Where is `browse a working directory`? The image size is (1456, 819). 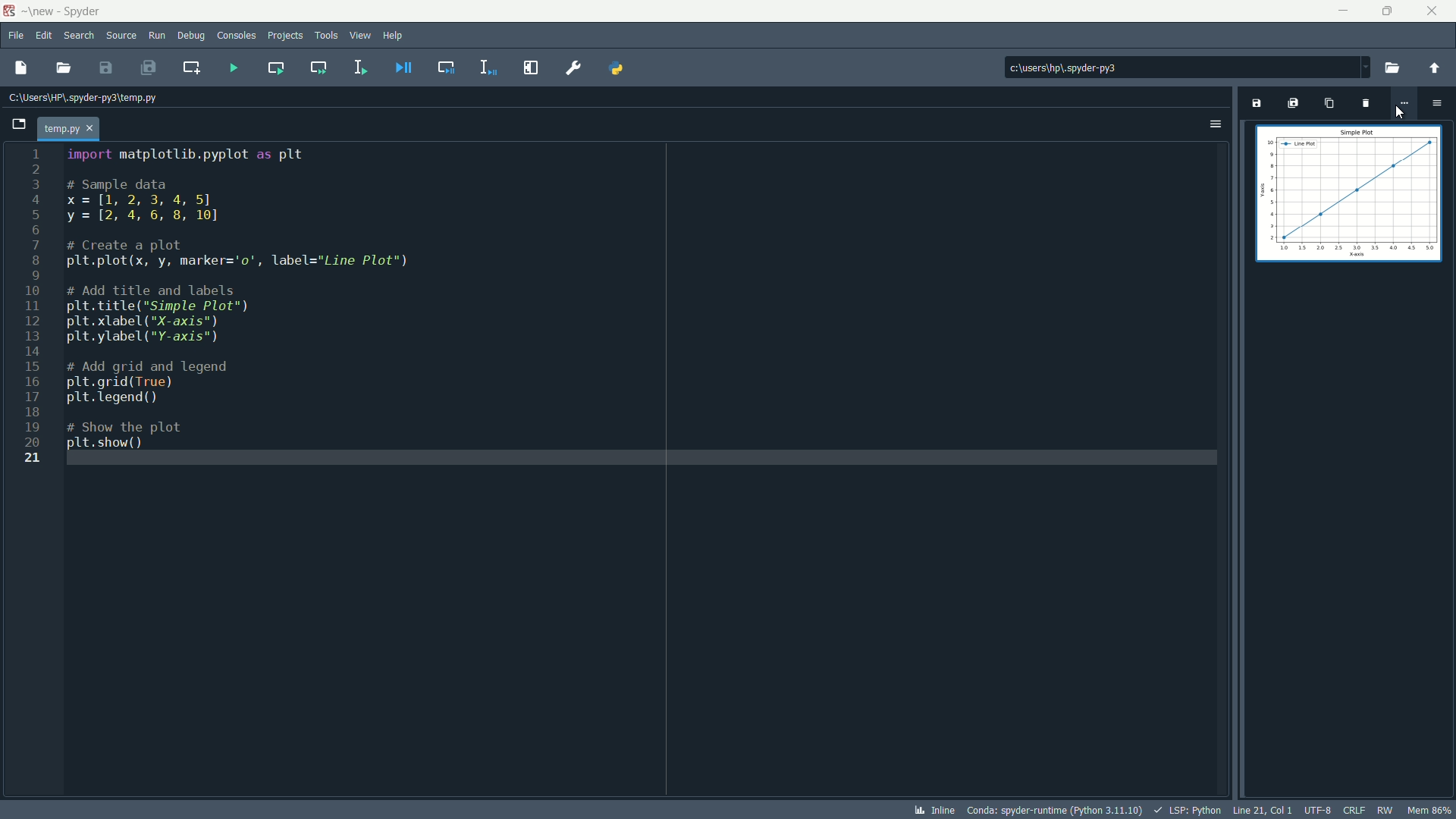 browse a working directory is located at coordinates (1393, 65).